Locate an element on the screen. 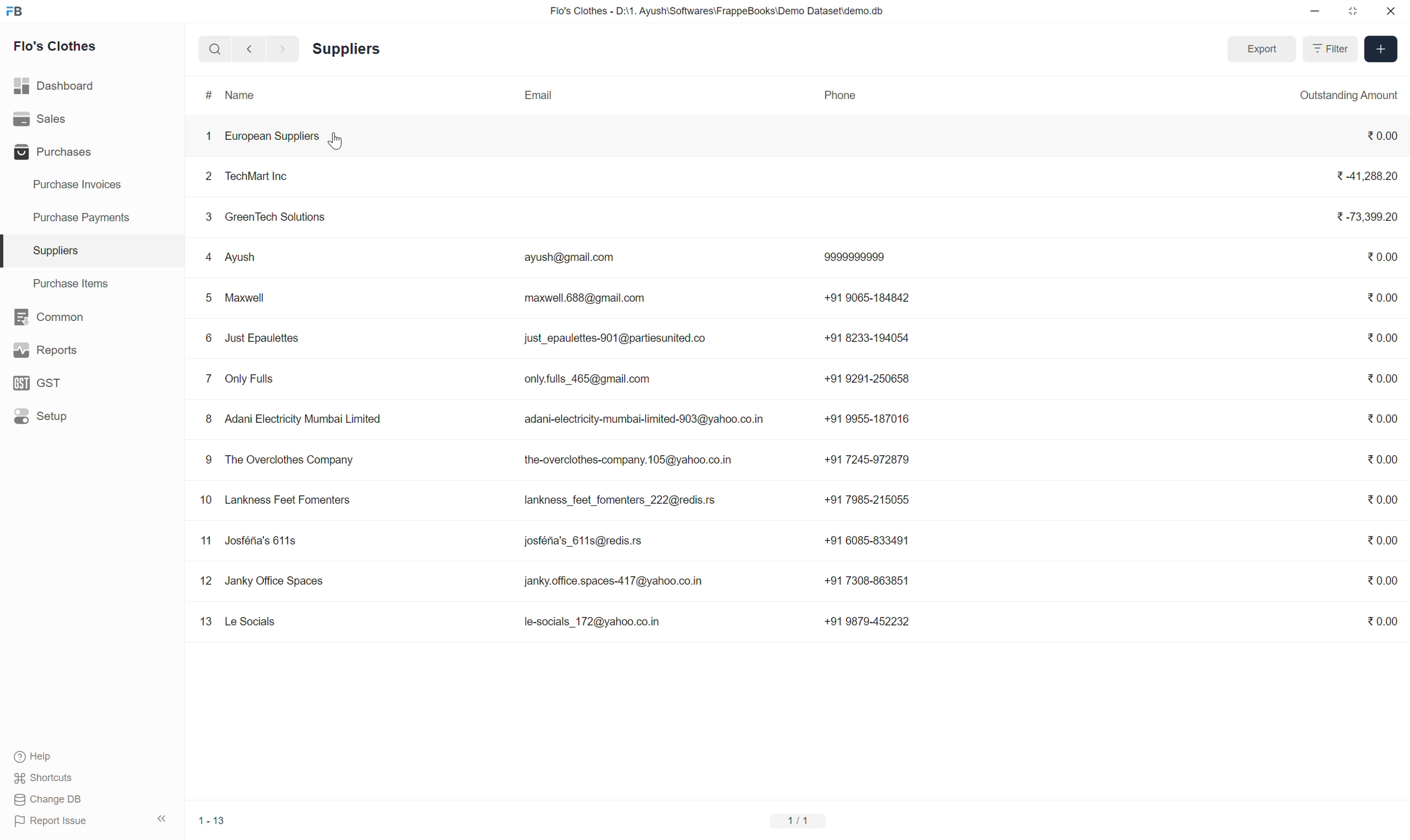 This screenshot has width=1410, height=840. GreenTech Solutions is located at coordinates (284, 217).